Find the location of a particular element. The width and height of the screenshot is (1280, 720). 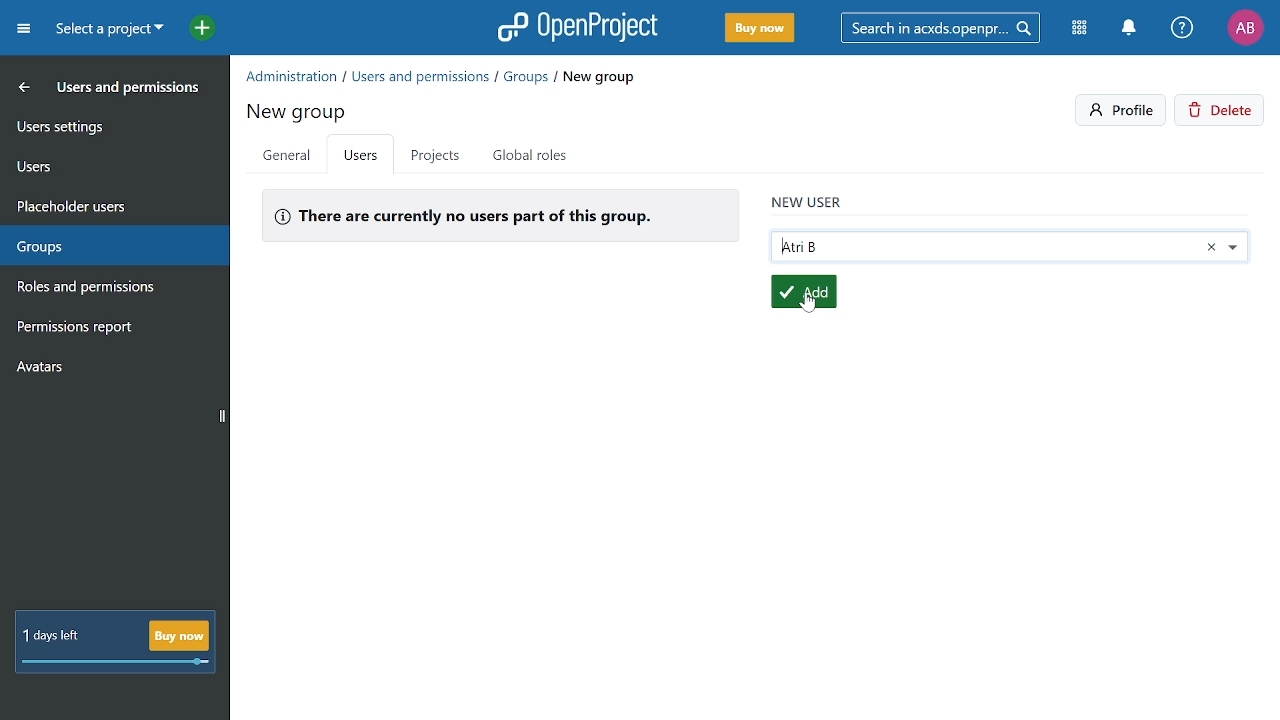

Global roles is located at coordinates (534, 155).